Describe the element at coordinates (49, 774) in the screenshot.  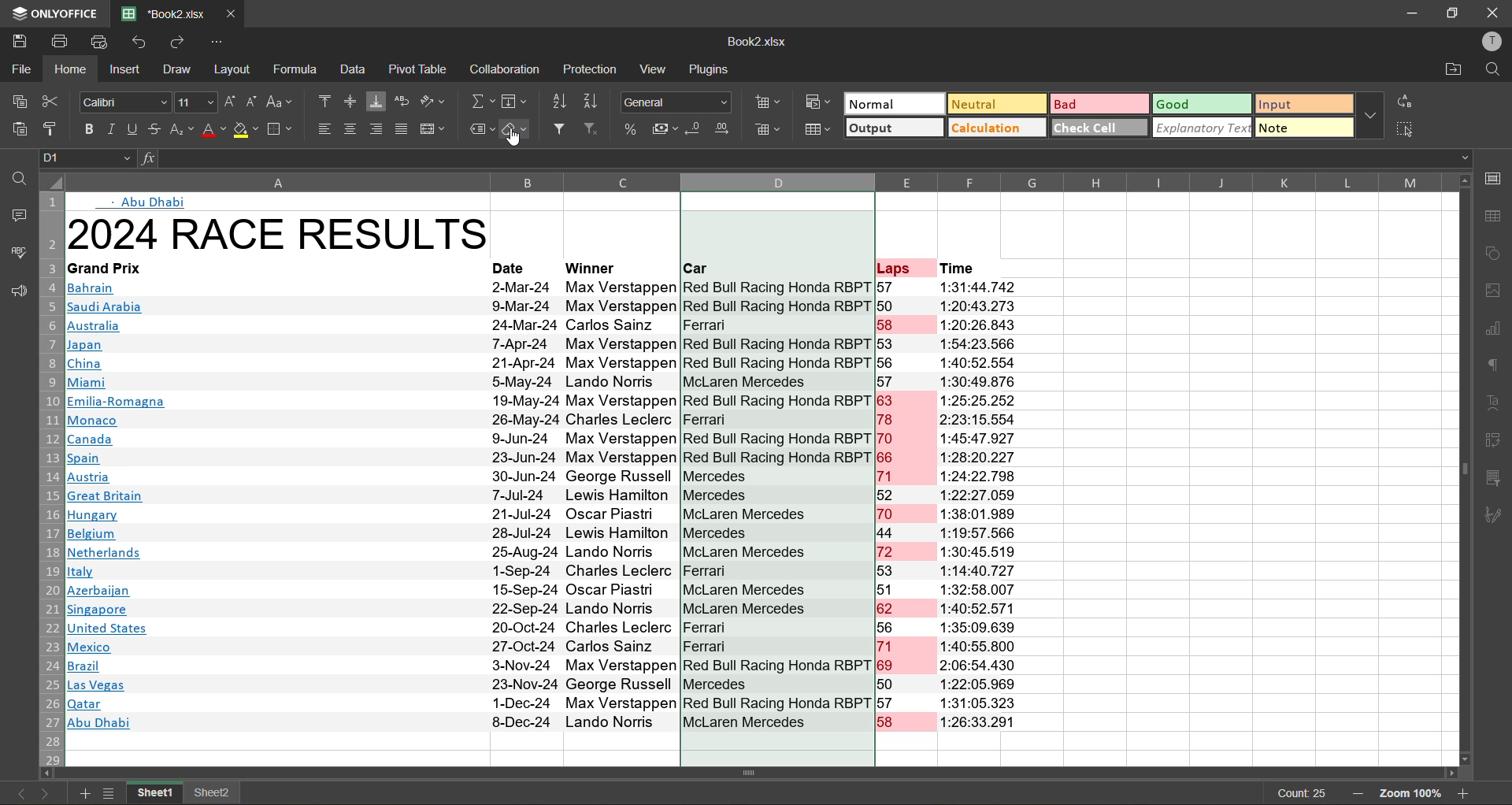
I see `move left` at that location.